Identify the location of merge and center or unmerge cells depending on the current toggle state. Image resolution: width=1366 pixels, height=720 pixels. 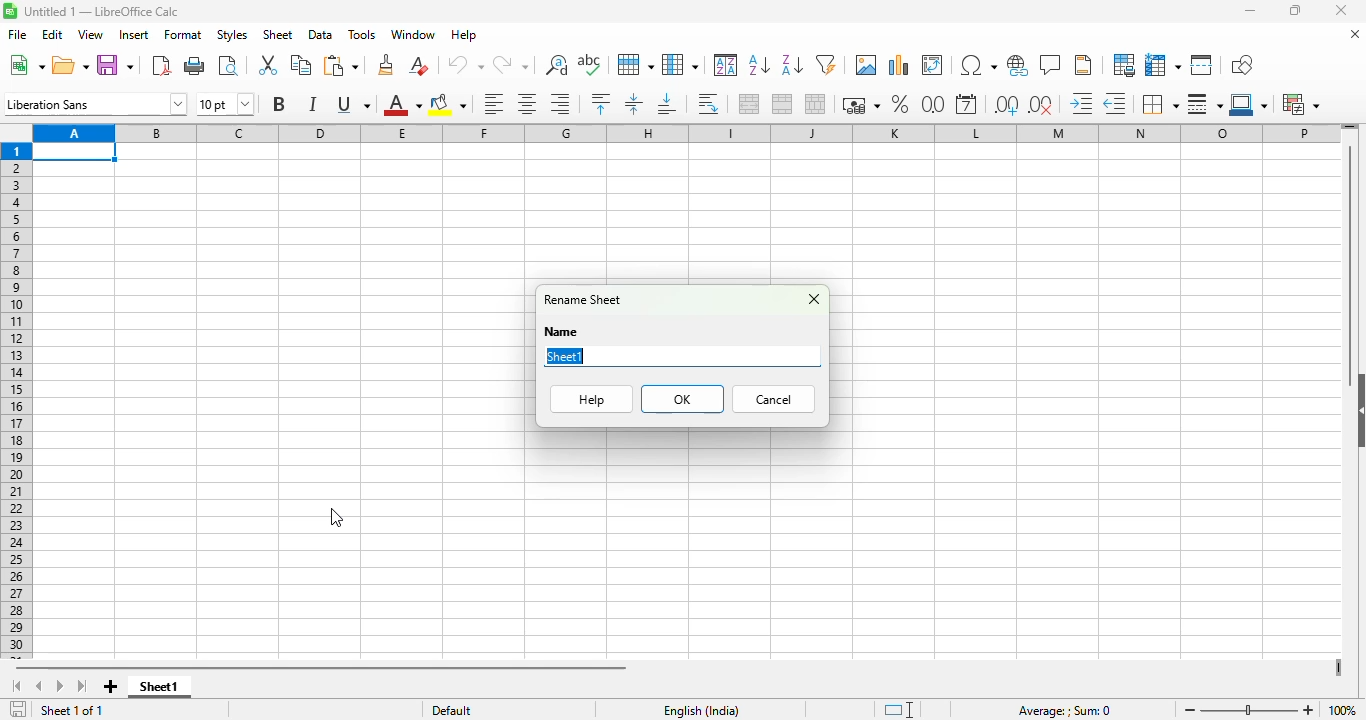
(750, 104).